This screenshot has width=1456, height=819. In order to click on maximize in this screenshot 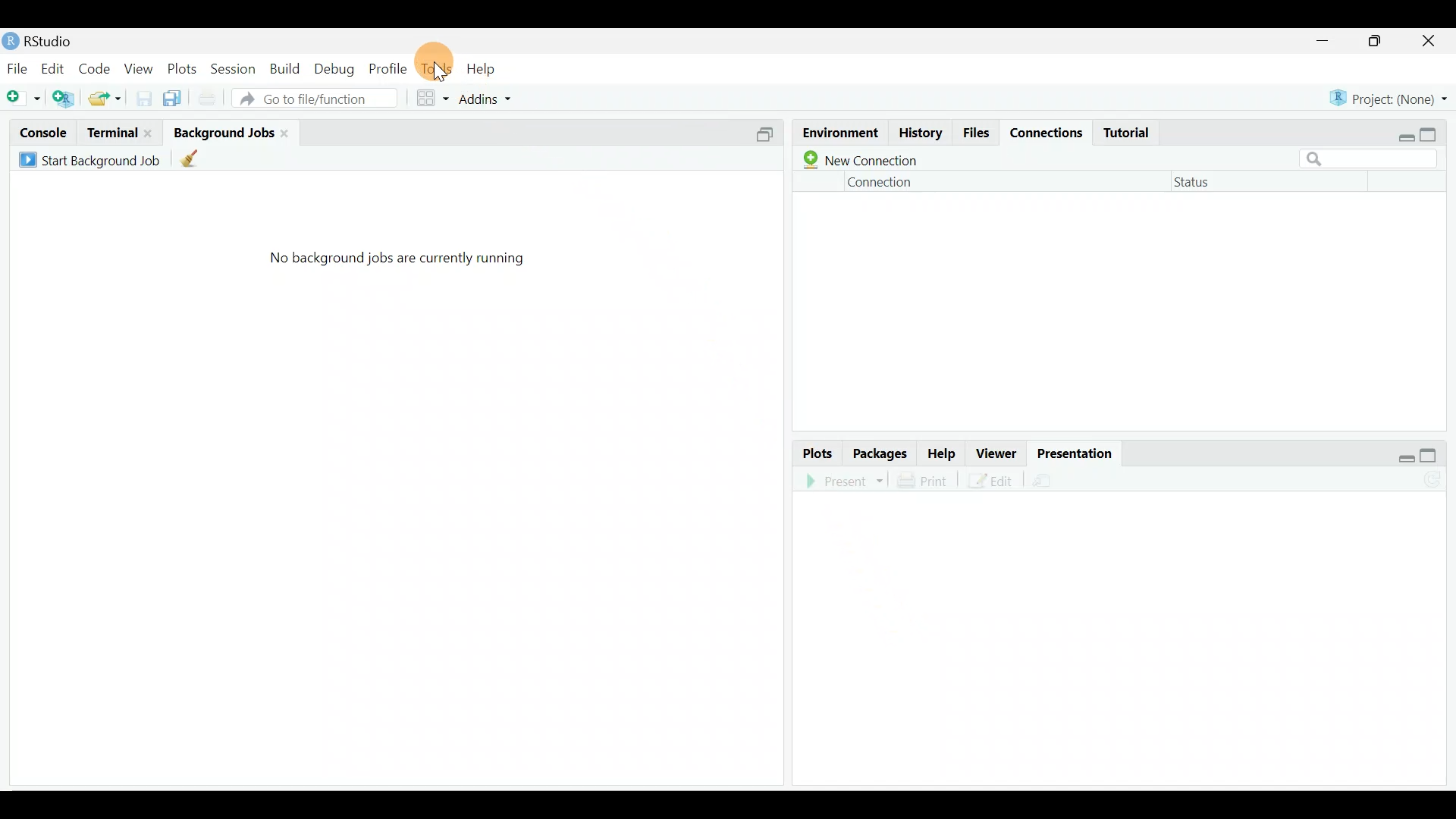, I will do `click(1376, 42)`.